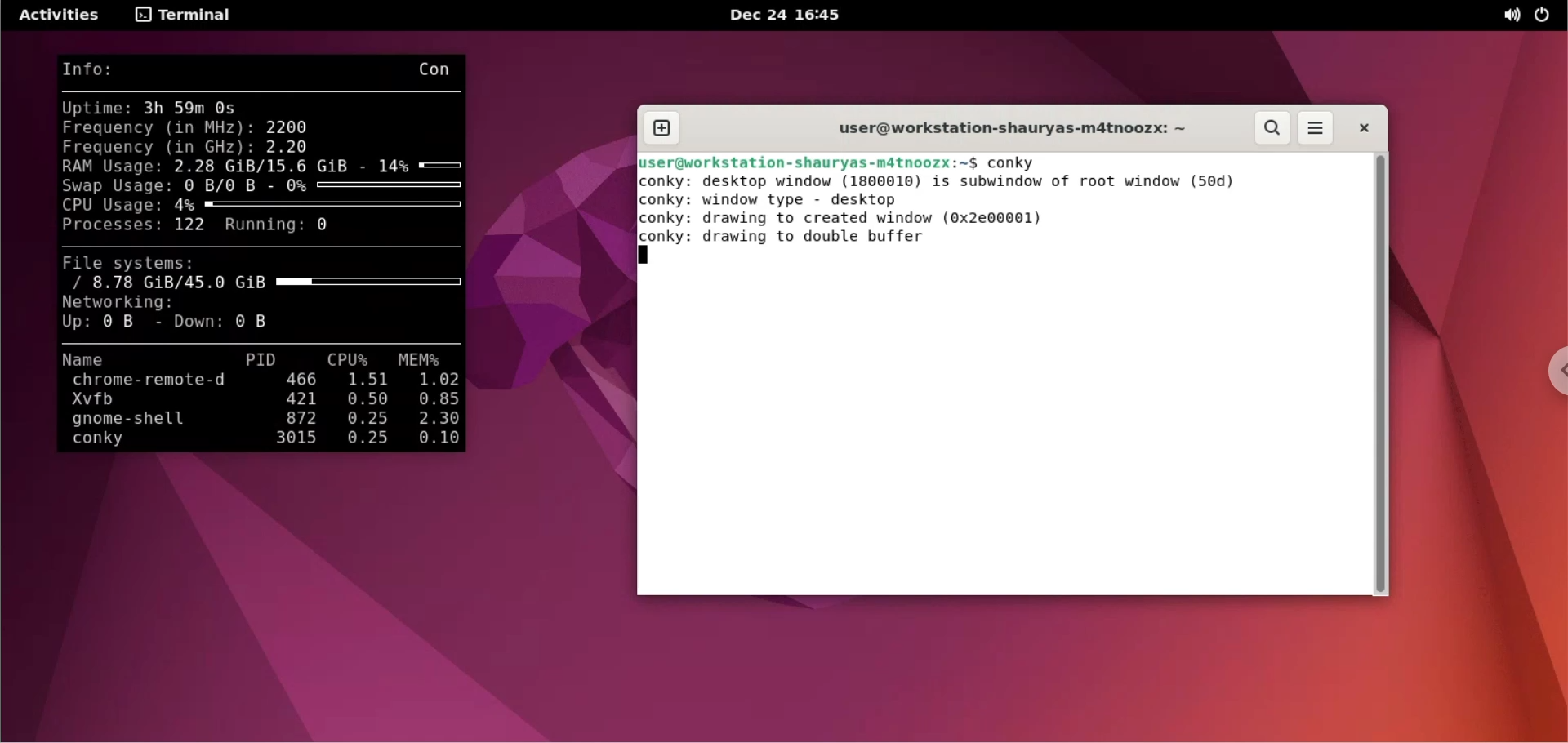 This screenshot has width=1568, height=743. What do you see at coordinates (61, 17) in the screenshot?
I see `Activities ` at bounding box center [61, 17].